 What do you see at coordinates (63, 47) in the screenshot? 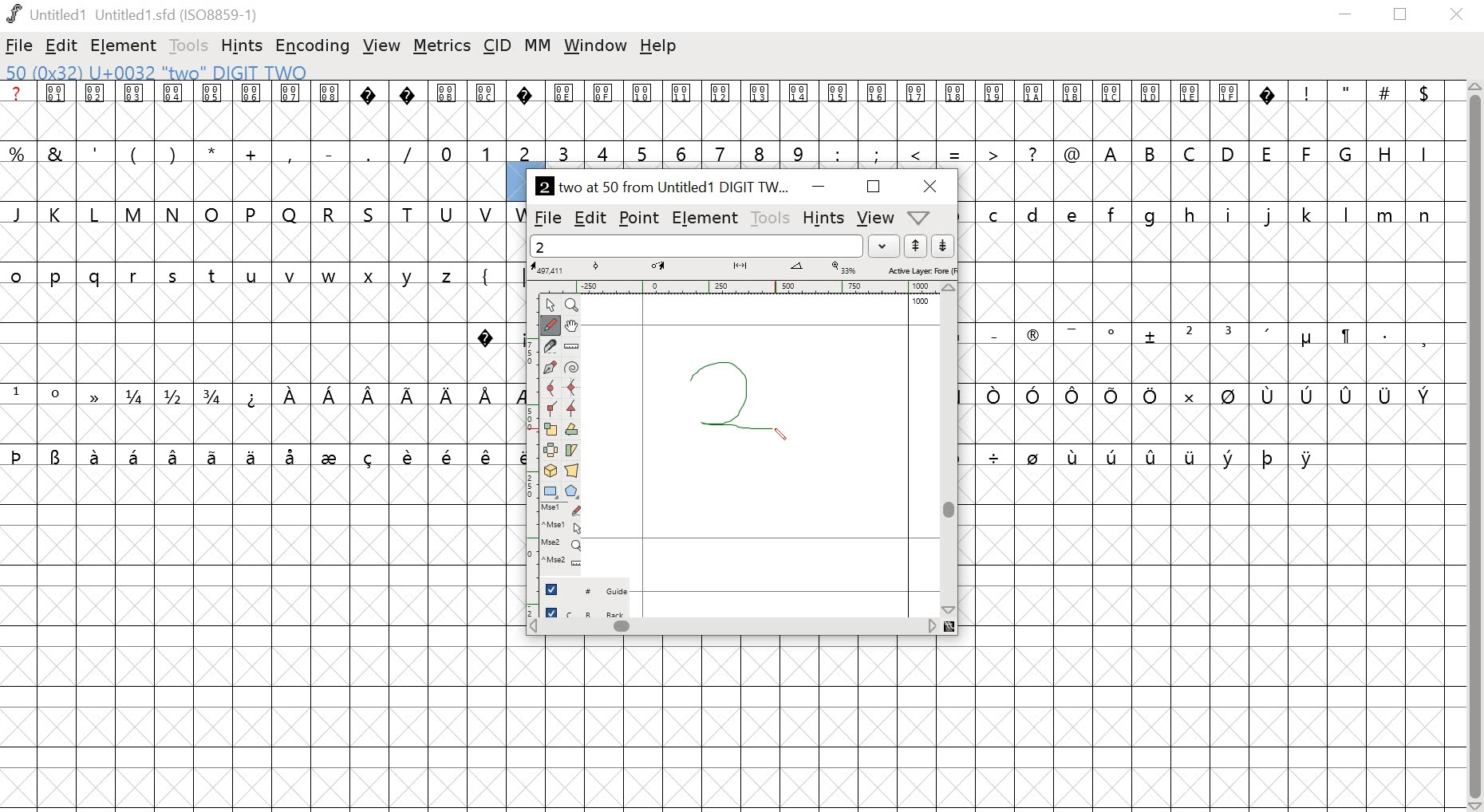
I see `edit` at bounding box center [63, 47].